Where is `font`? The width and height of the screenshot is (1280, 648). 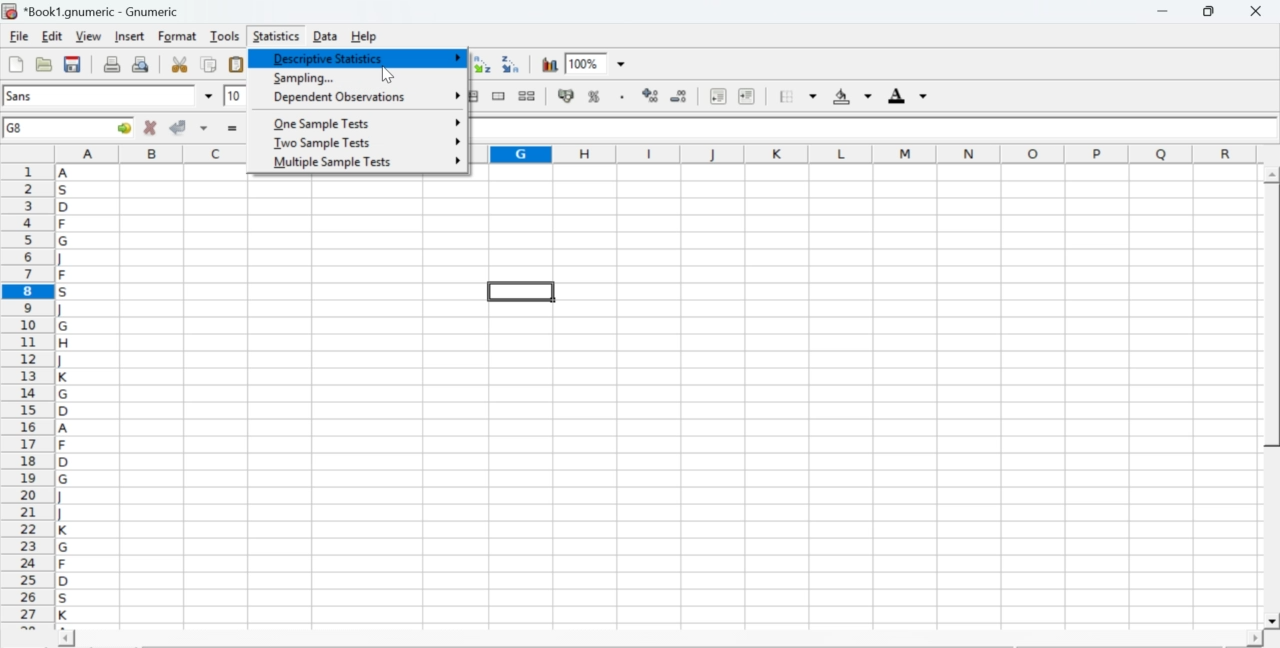
font is located at coordinates (22, 95).